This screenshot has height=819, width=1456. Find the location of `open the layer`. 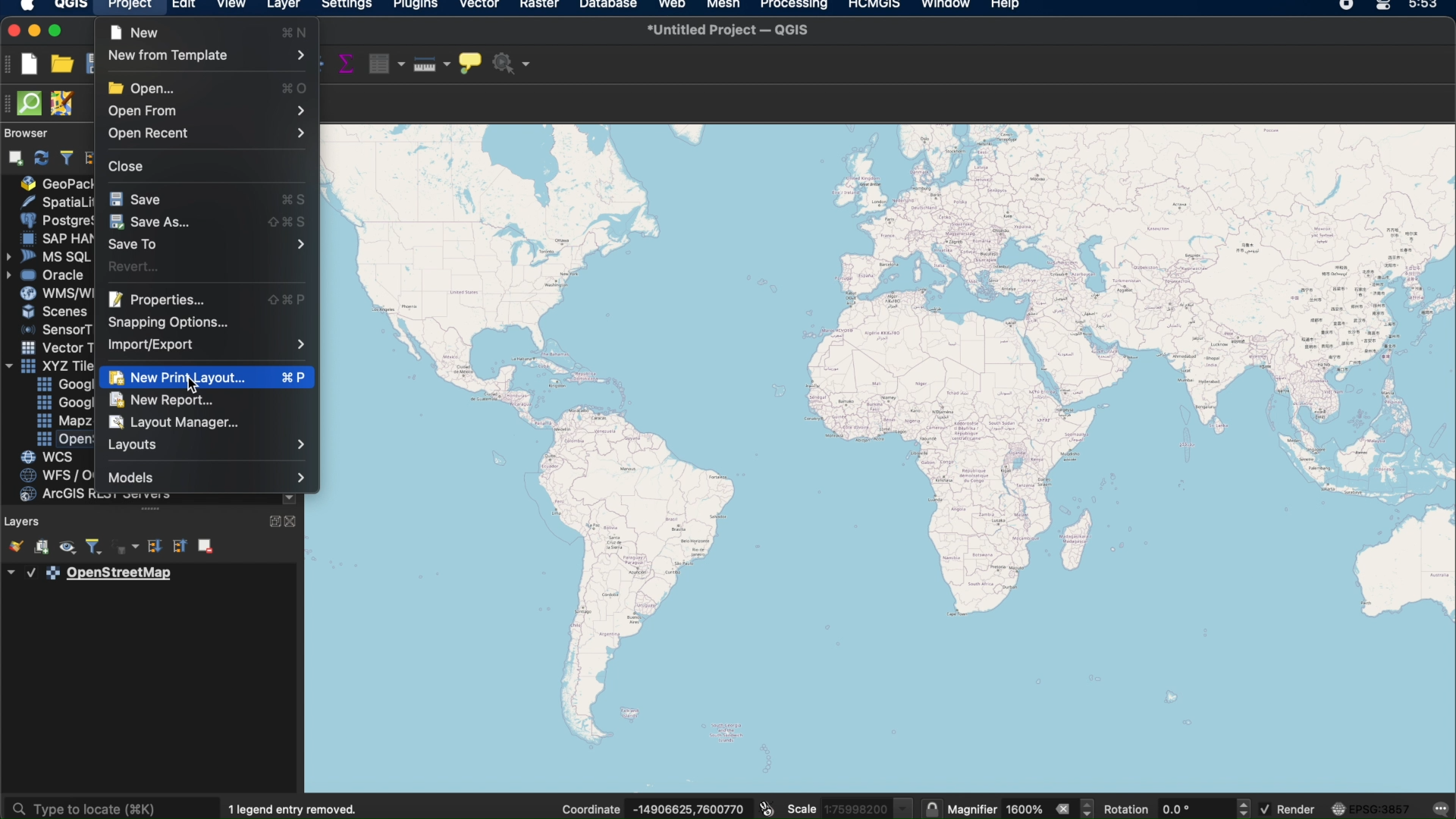

open the layer is located at coordinates (16, 544).